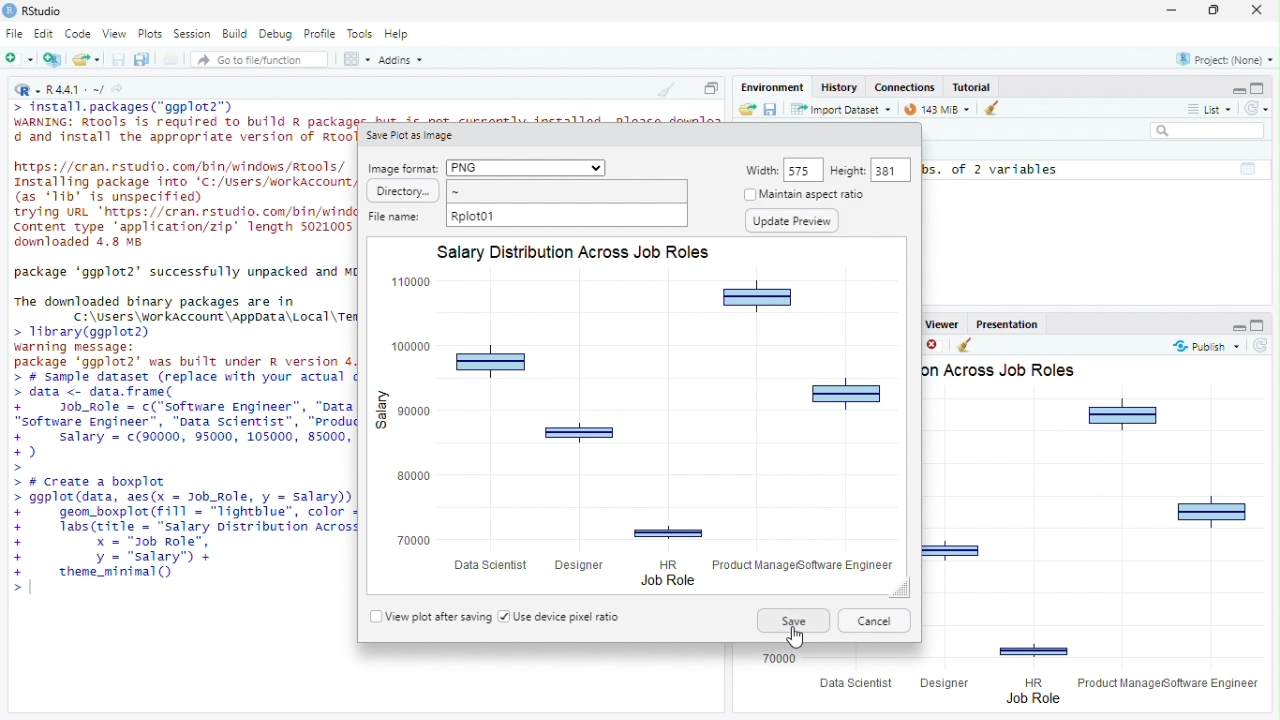 This screenshot has width=1280, height=720. What do you see at coordinates (27, 91) in the screenshot?
I see `R Language` at bounding box center [27, 91].